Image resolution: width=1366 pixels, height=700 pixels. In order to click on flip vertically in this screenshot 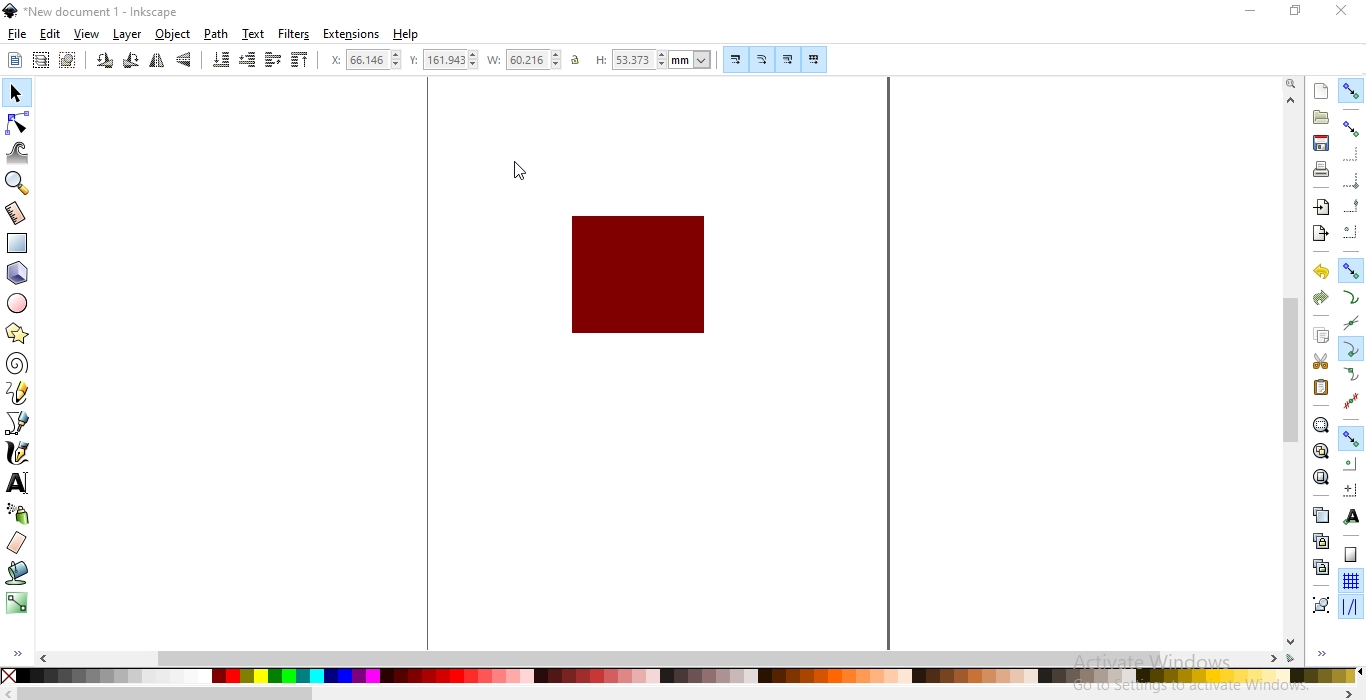, I will do `click(186, 61)`.